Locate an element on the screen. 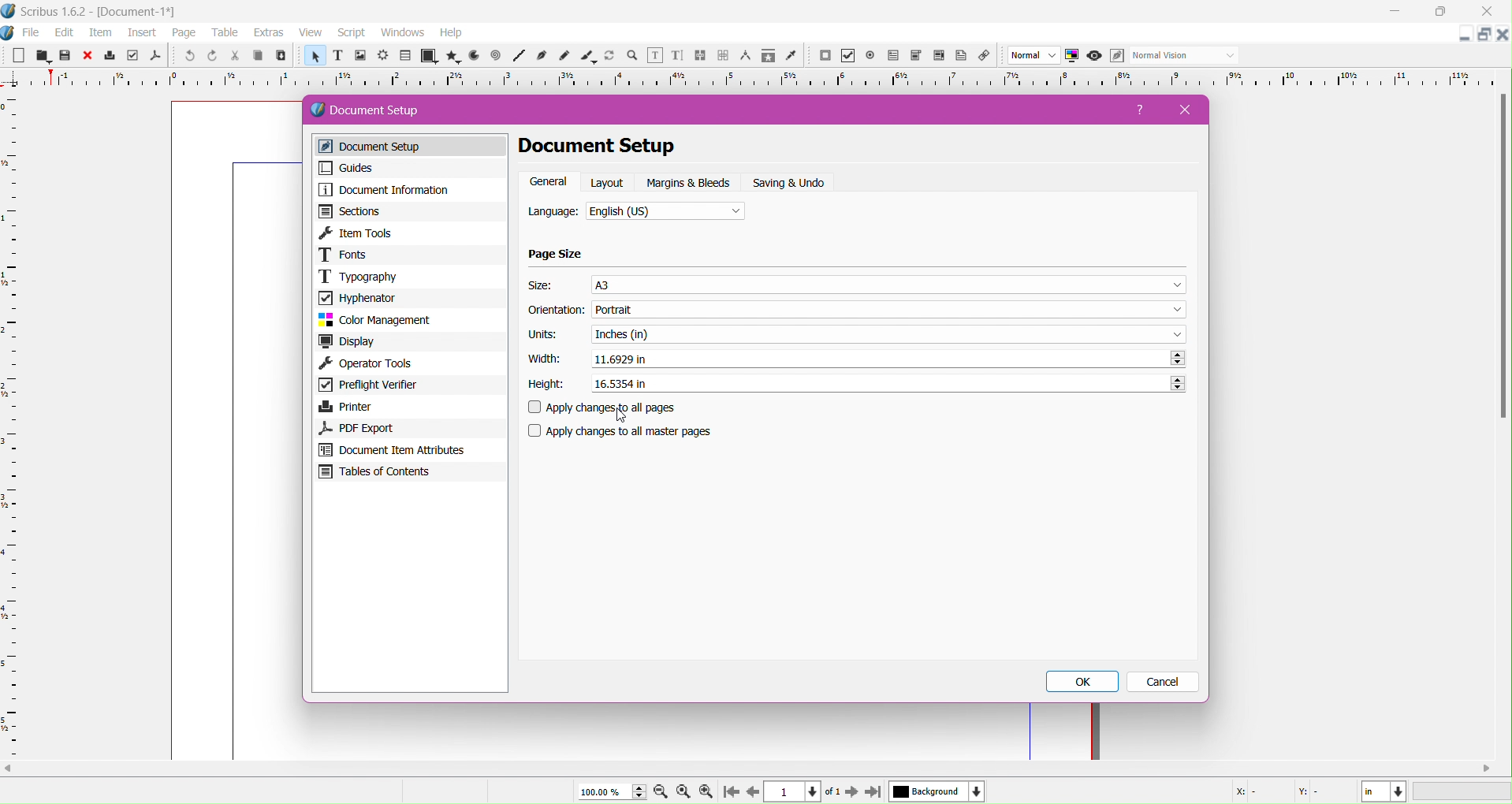 This screenshot has height=804, width=1512. go to last page is located at coordinates (873, 793).